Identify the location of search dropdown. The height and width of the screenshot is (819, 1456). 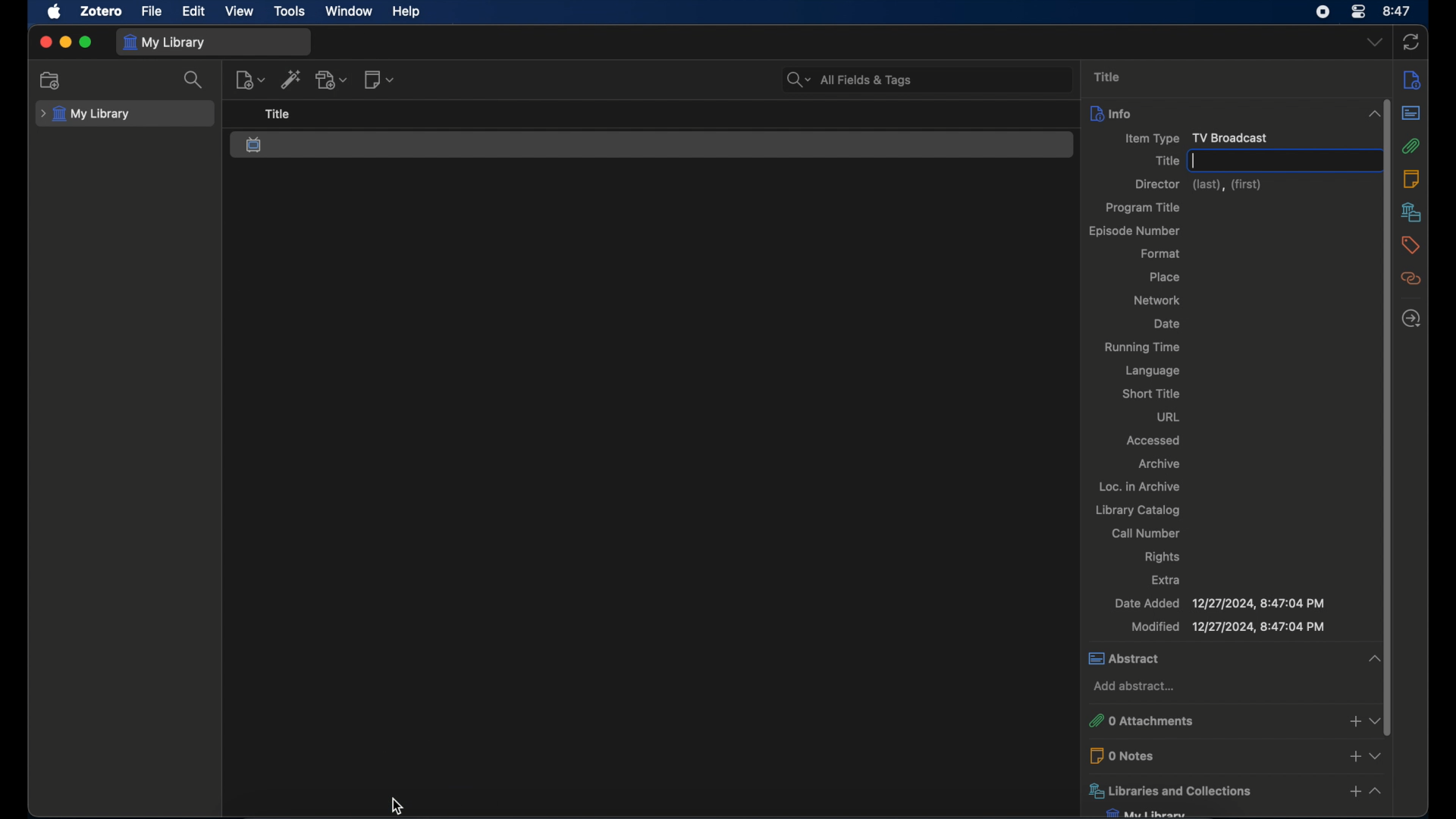
(799, 80).